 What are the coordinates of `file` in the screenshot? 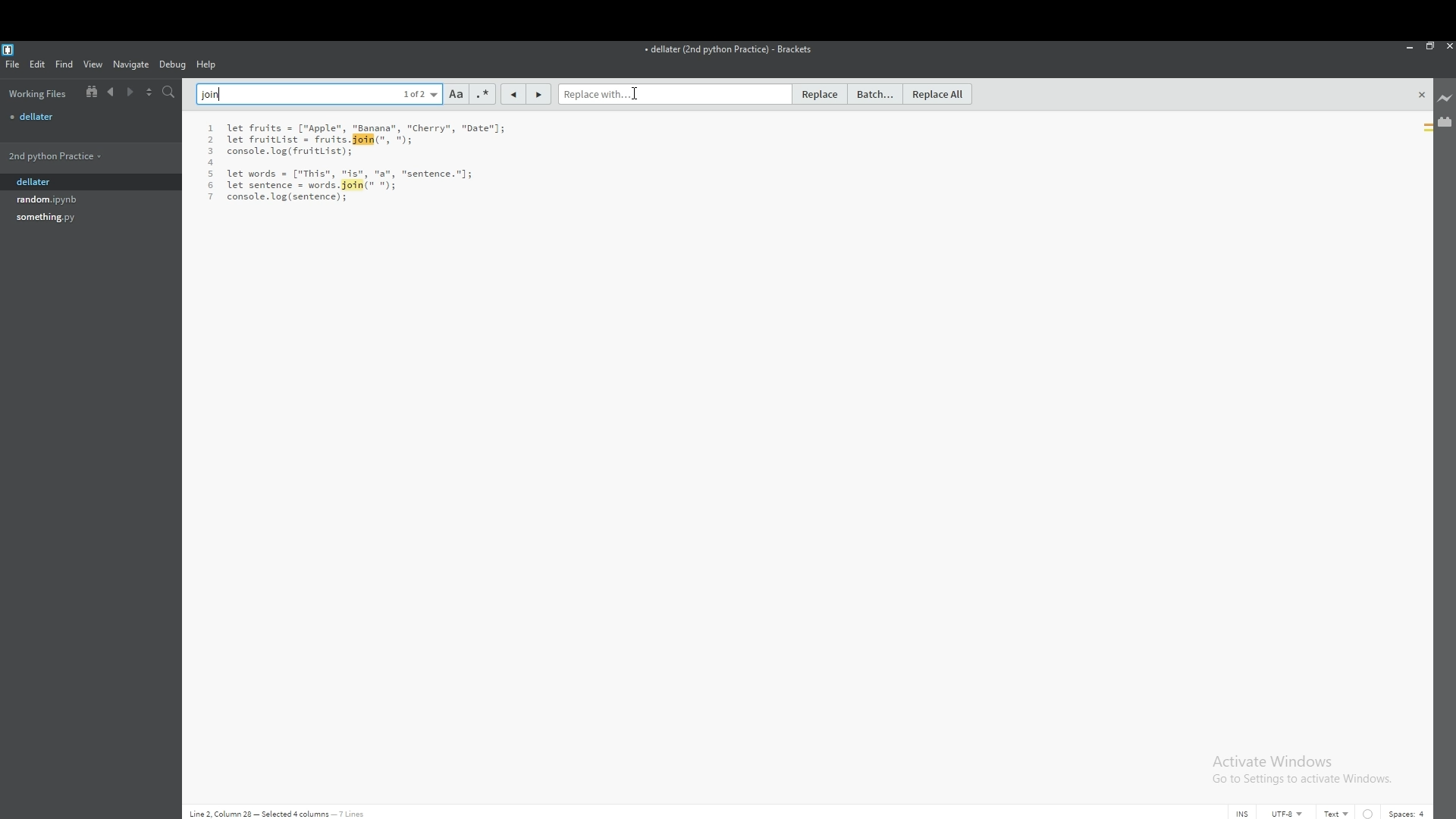 It's located at (14, 64).